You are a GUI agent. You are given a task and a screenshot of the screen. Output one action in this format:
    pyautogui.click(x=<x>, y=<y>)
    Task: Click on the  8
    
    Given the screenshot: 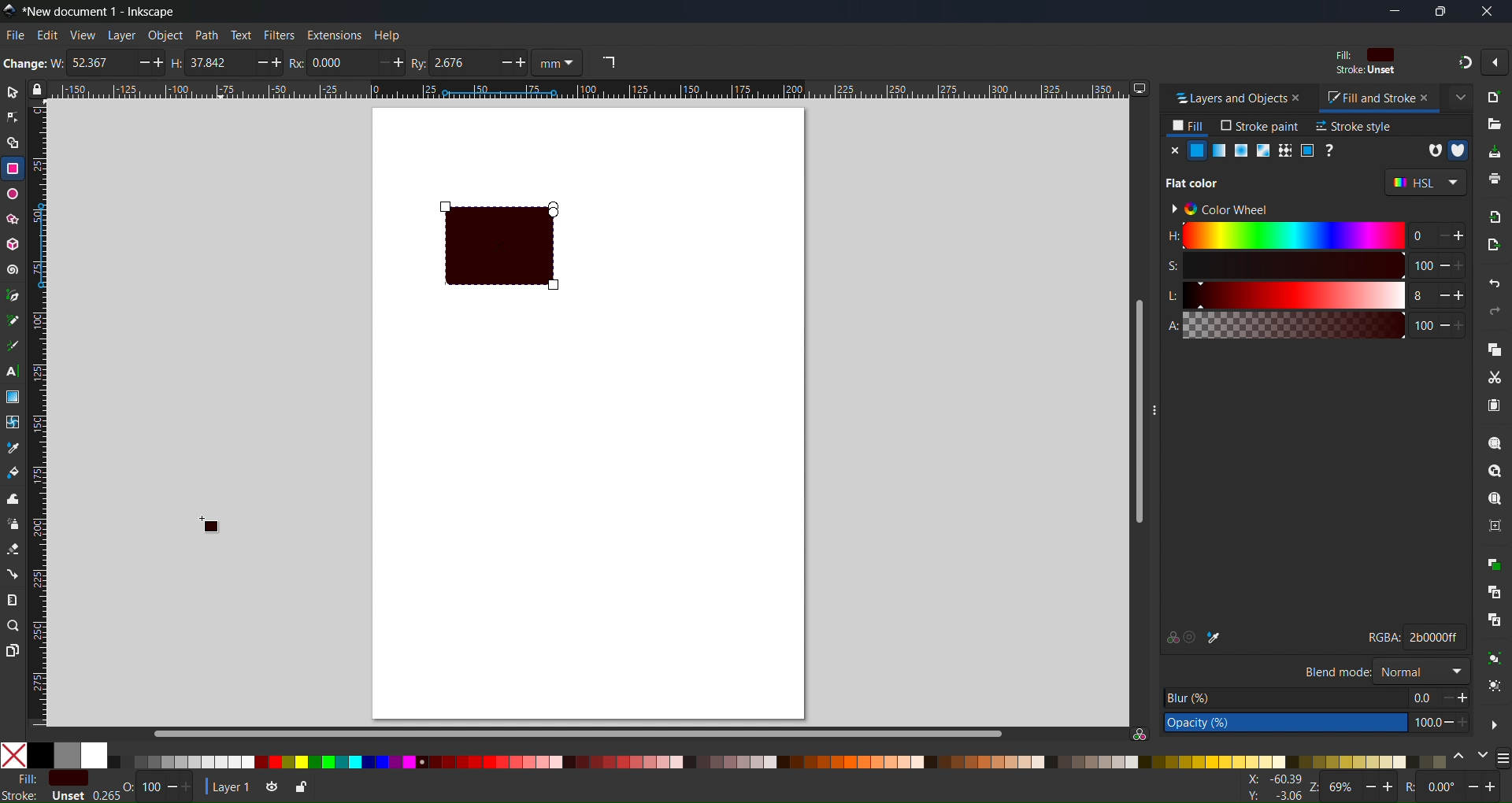 What is the action you would take?
    pyautogui.click(x=1416, y=296)
    